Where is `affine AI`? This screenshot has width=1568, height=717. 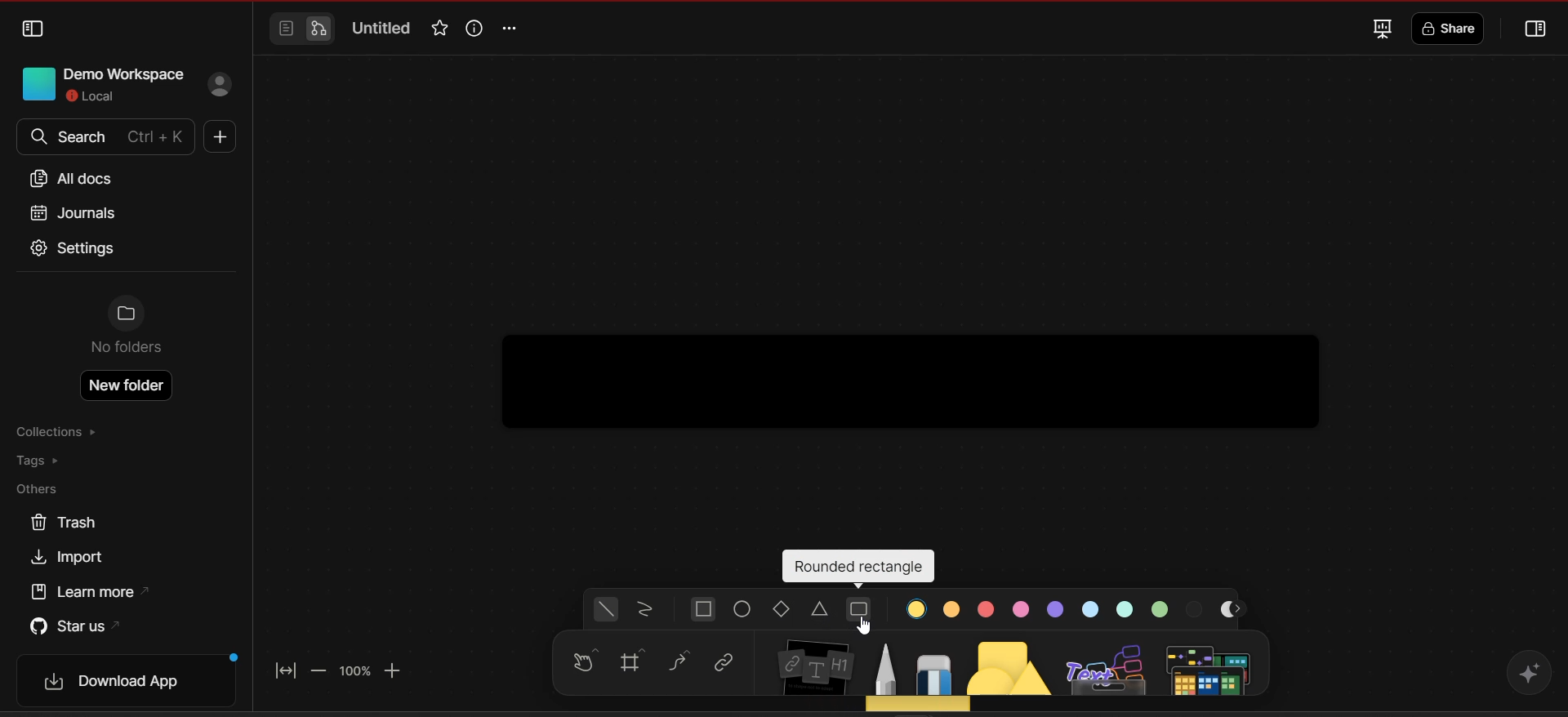
affine AI is located at coordinates (1529, 671).